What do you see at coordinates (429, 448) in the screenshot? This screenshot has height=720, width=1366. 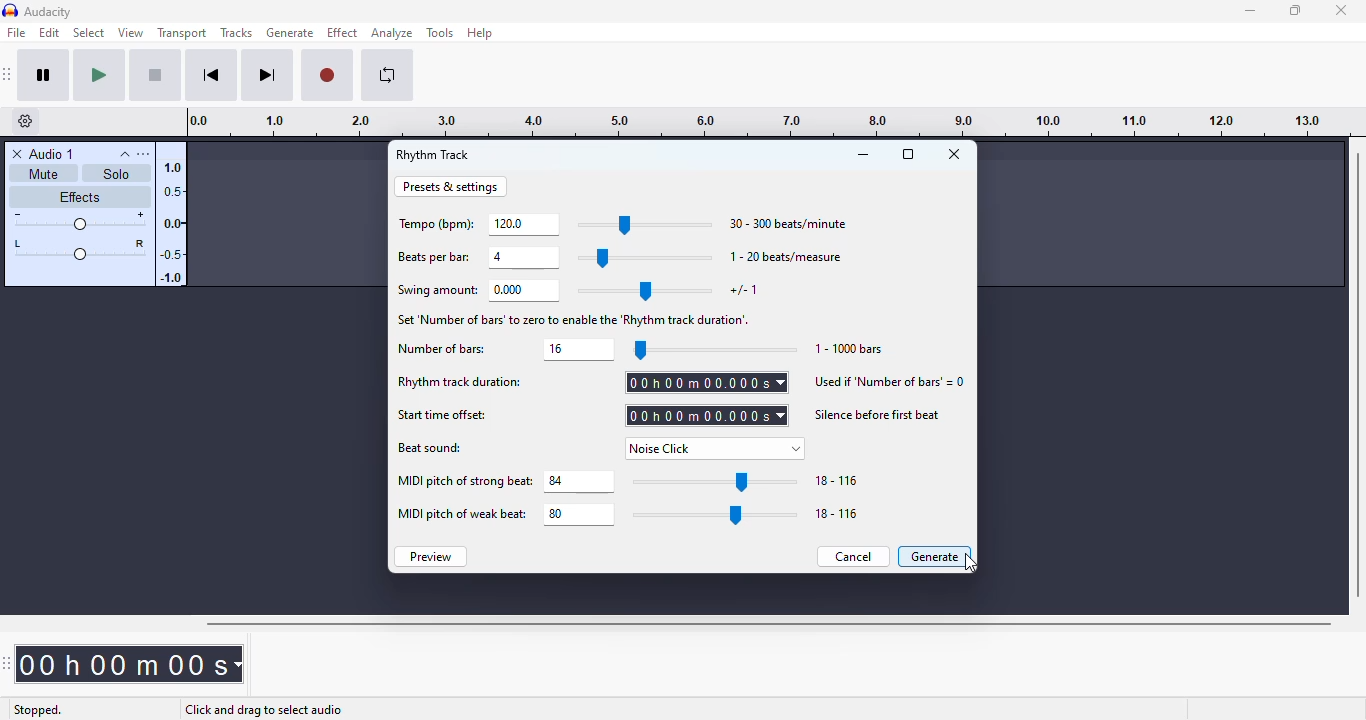 I see `beat sound: ` at bounding box center [429, 448].